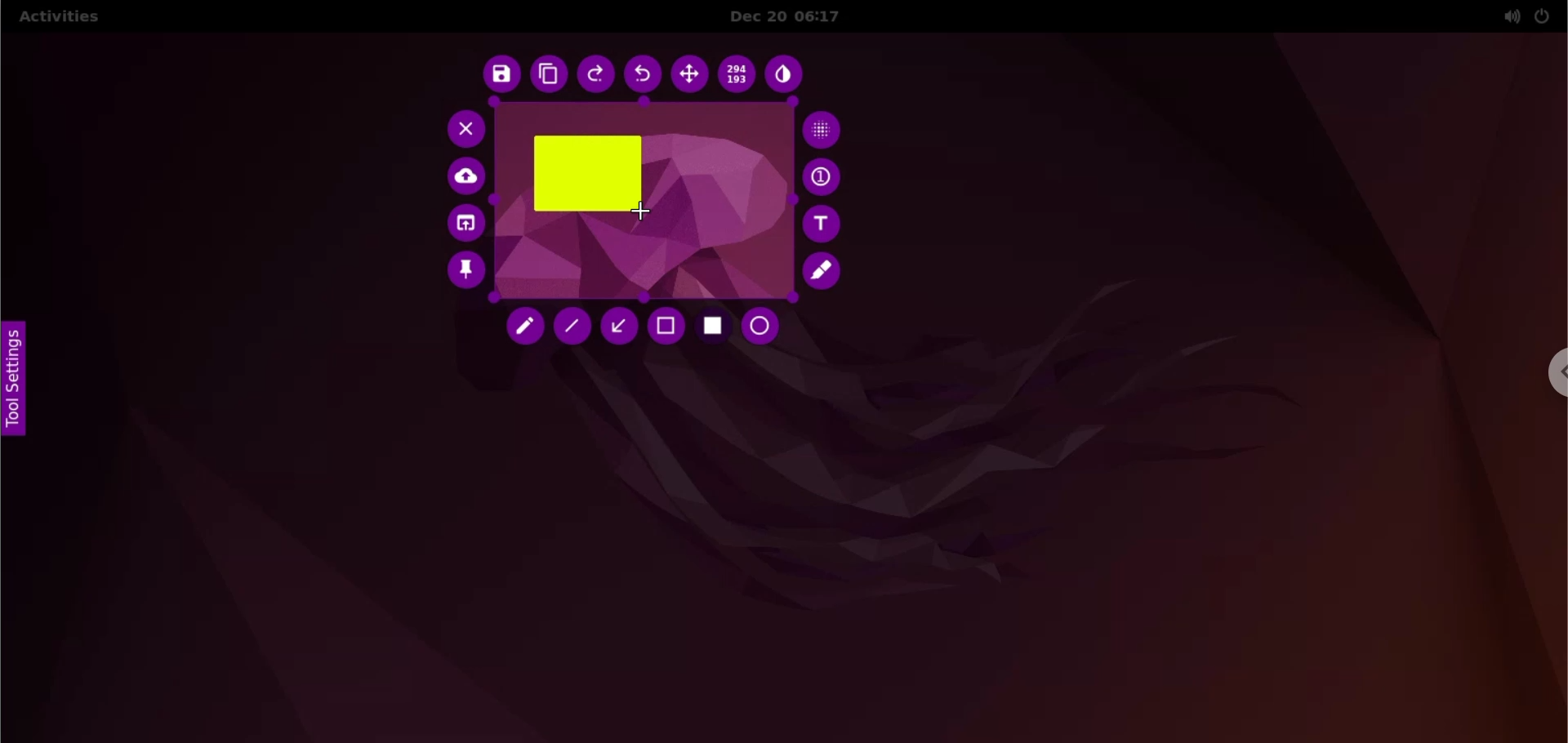 This screenshot has height=743, width=1568. What do you see at coordinates (58, 19) in the screenshot?
I see `activities` at bounding box center [58, 19].